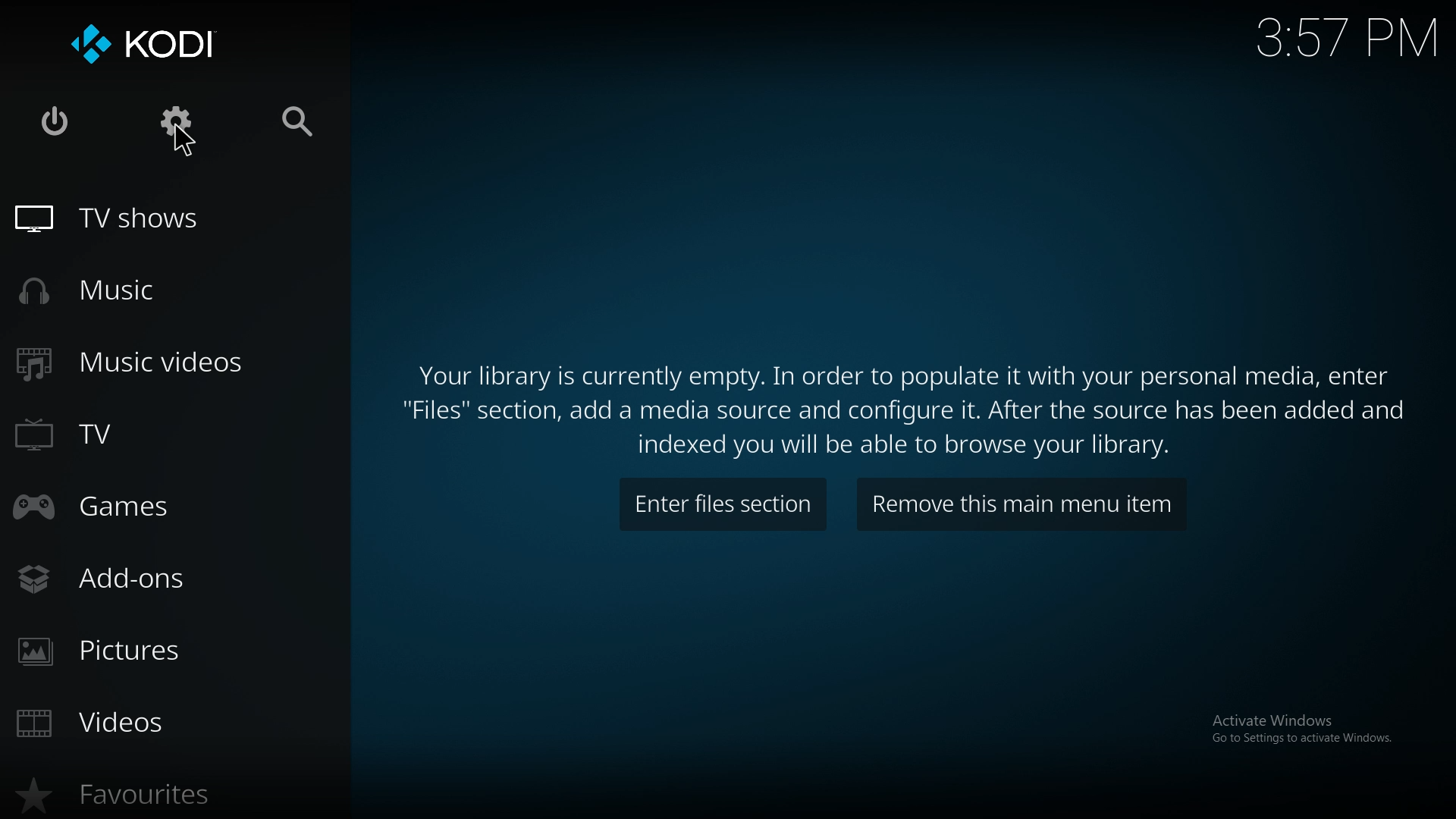 The width and height of the screenshot is (1456, 819). Describe the element at coordinates (60, 122) in the screenshot. I see `close` at that location.